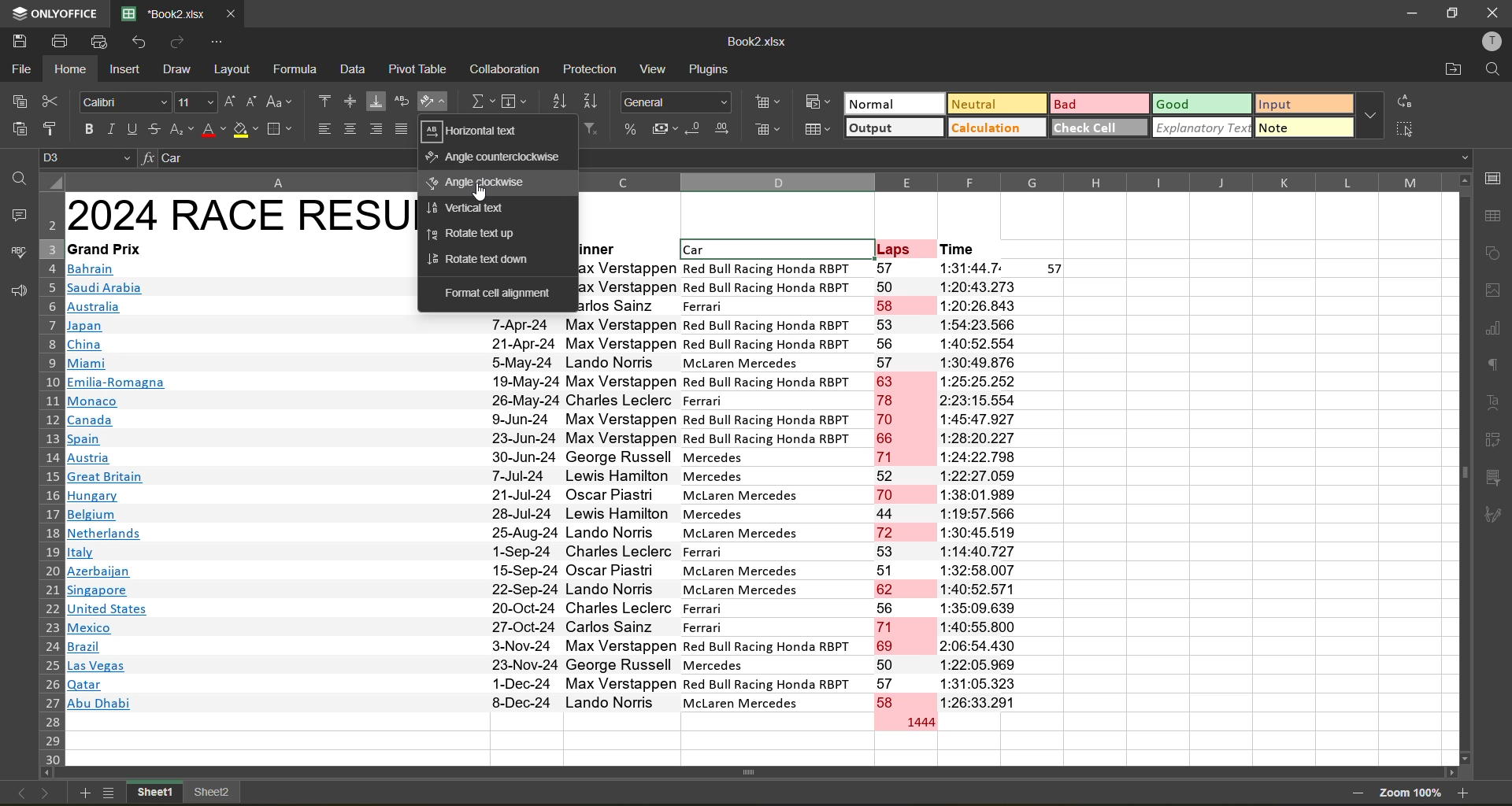 The image size is (1512, 806). Describe the element at coordinates (1460, 157) in the screenshot. I see `Drop down` at that location.